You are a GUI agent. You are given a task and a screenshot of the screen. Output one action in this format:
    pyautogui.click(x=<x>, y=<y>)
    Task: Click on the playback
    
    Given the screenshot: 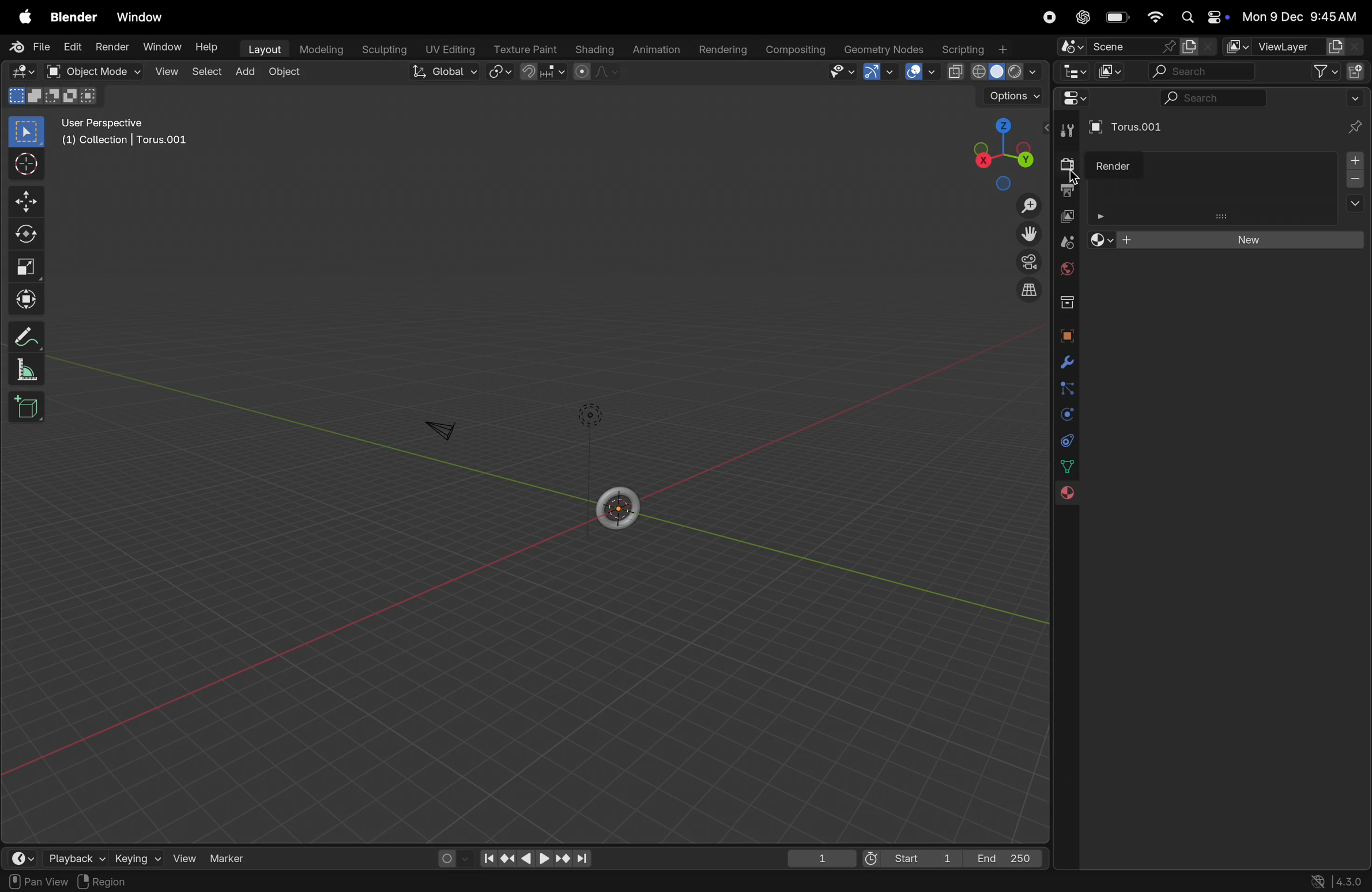 What is the action you would take?
    pyautogui.click(x=72, y=859)
    